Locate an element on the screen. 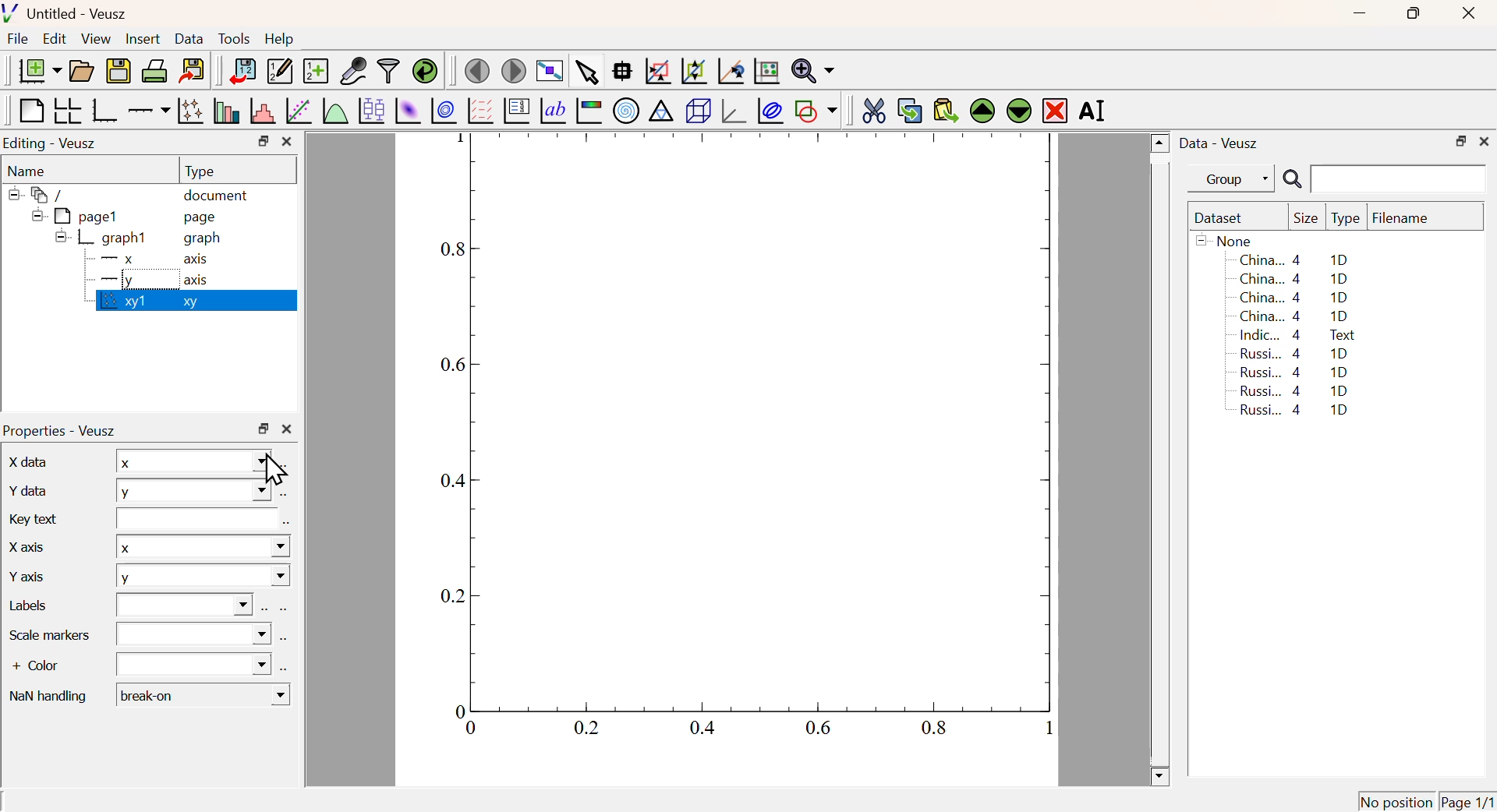 The height and width of the screenshot is (812, 1497). Russi... 4 1D is located at coordinates (1294, 372).